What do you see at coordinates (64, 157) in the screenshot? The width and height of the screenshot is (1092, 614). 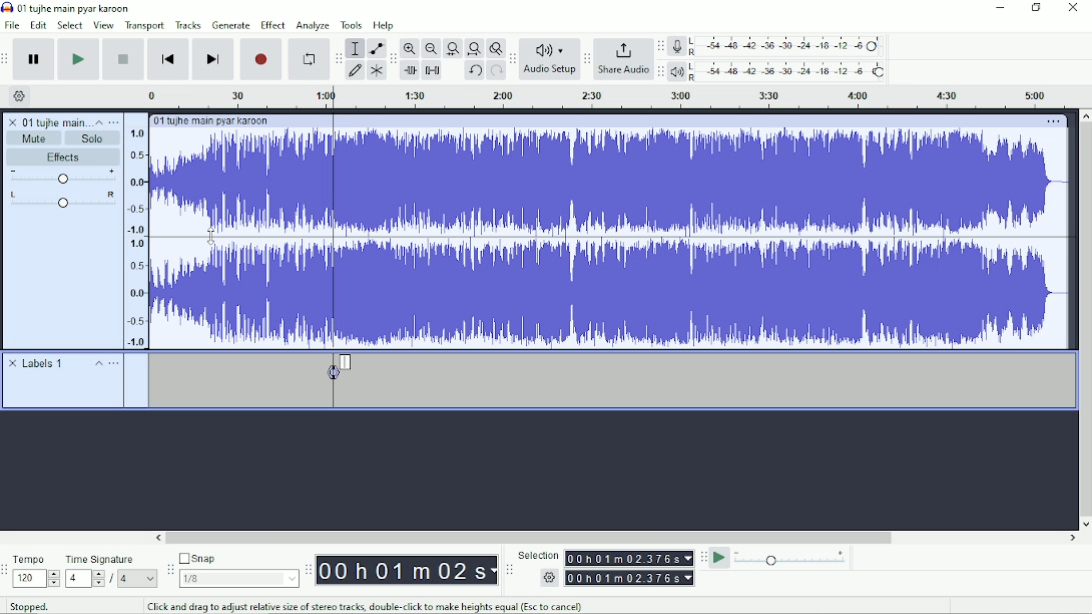 I see `Effects` at bounding box center [64, 157].